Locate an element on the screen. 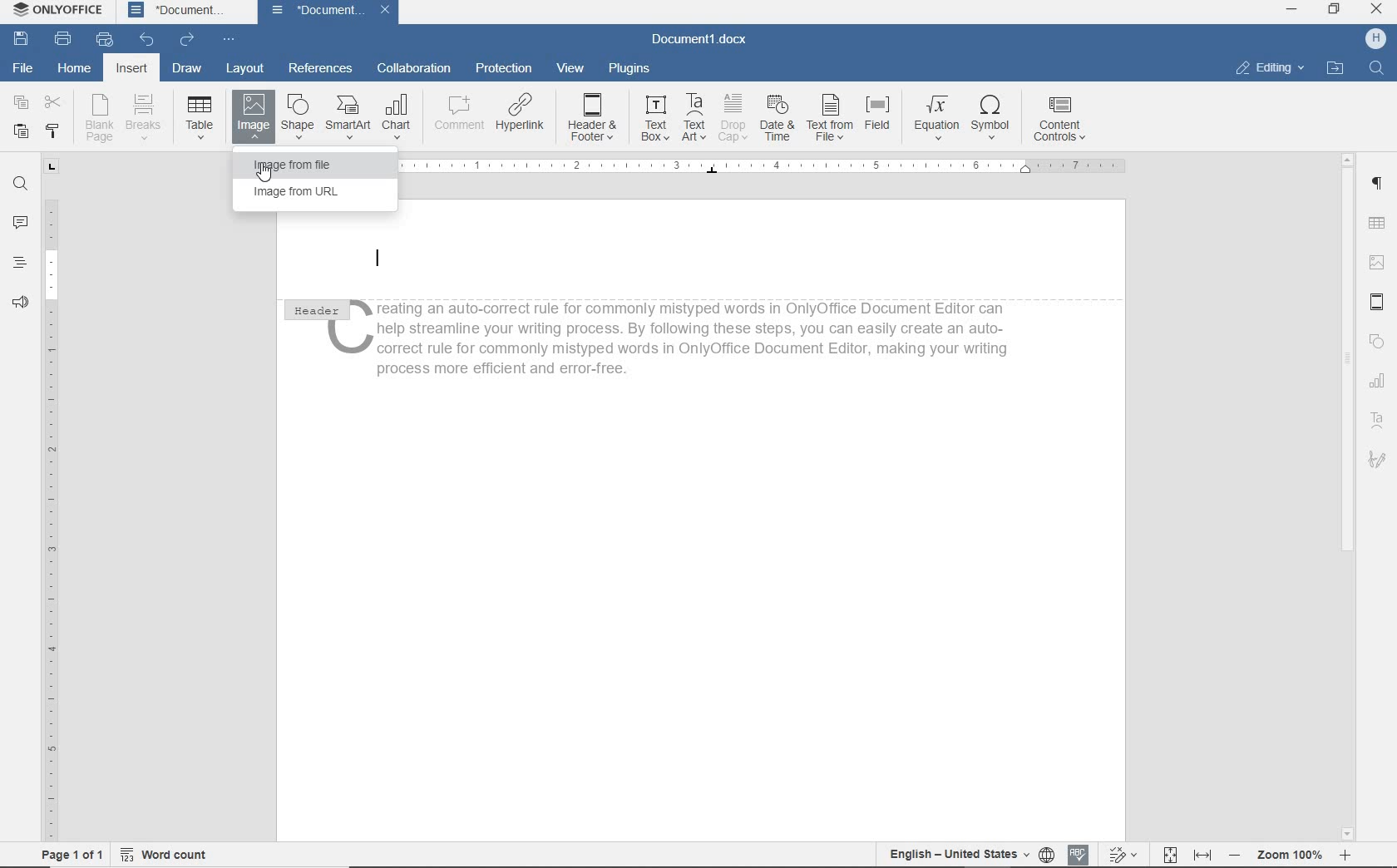  PROTECTION is located at coordinates (504, 67).